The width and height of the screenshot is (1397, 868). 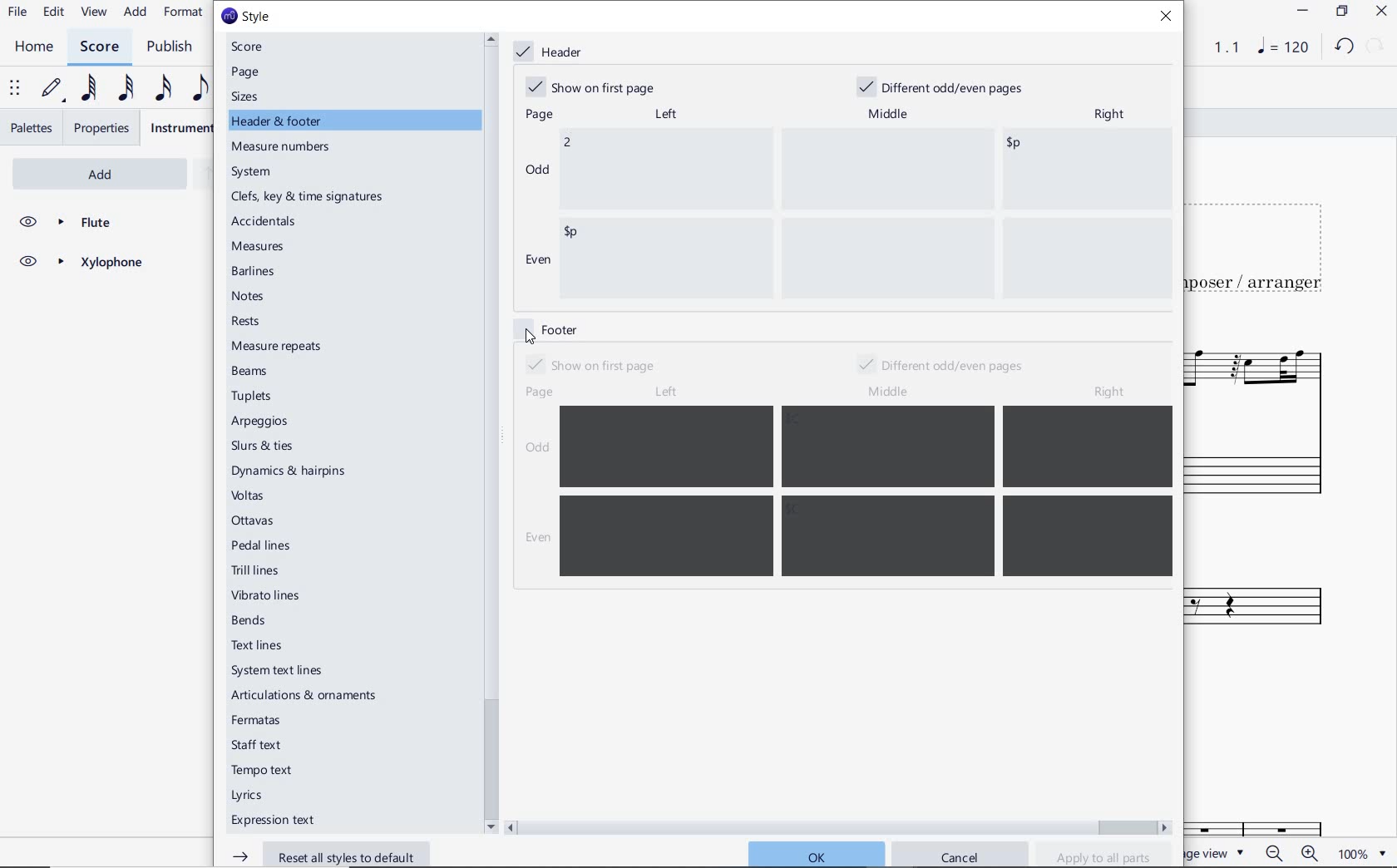 I want to click on footer, so click(x=545, y=328).